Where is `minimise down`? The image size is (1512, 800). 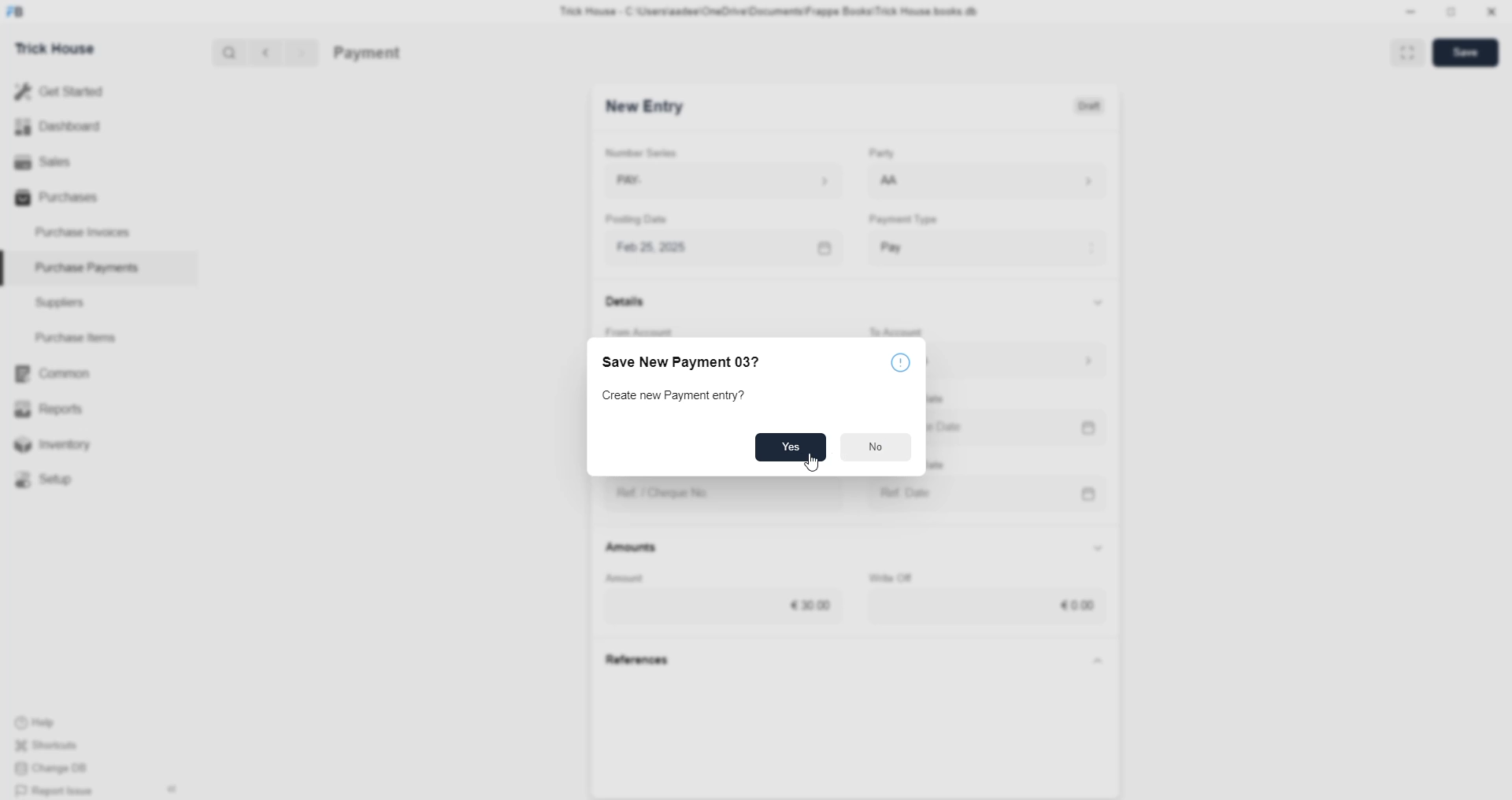
minimise down is located at coordinates (1408, 12).